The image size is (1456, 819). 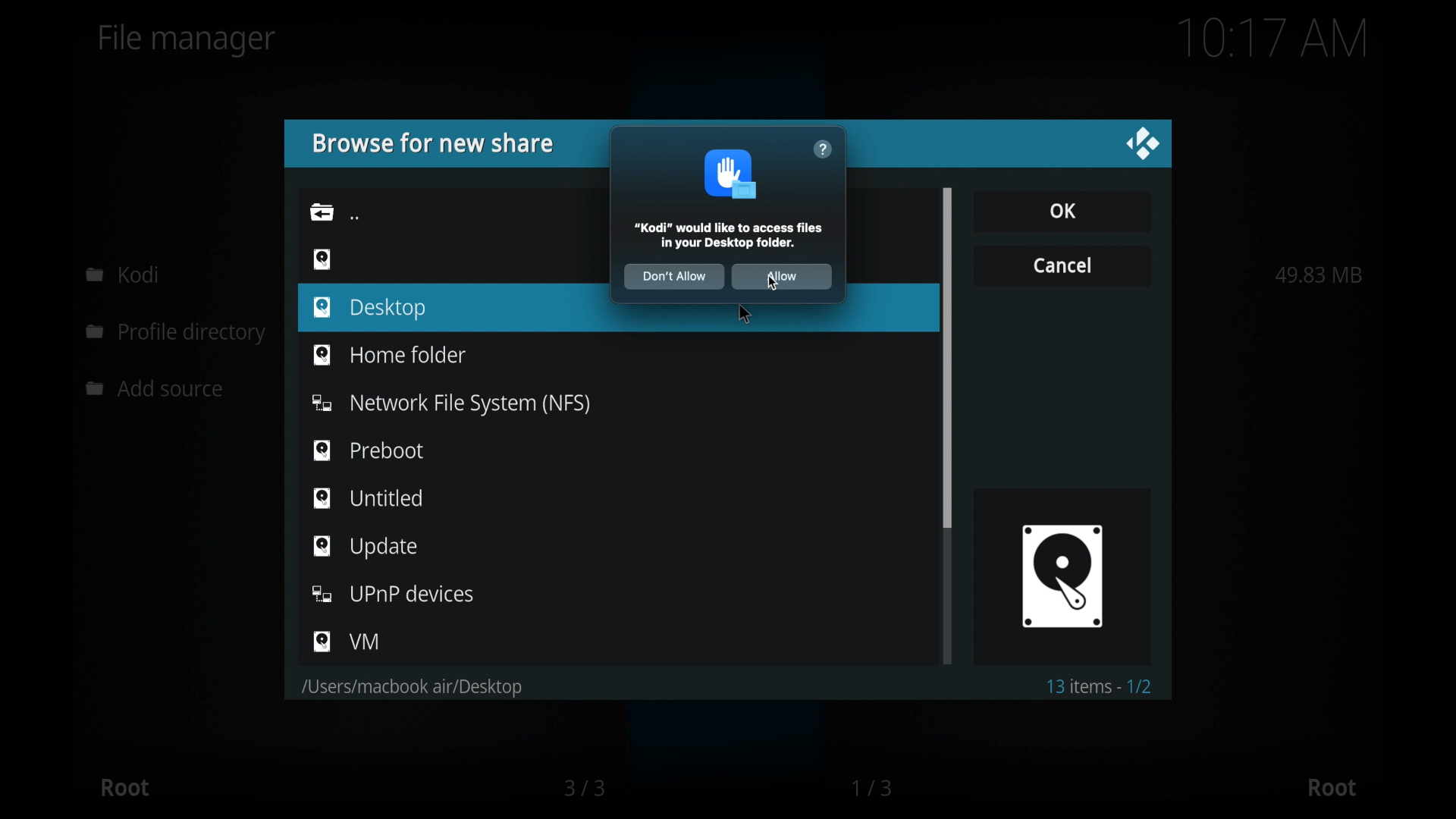 I want to click on kodi icon, so click(x=1062, y=575).